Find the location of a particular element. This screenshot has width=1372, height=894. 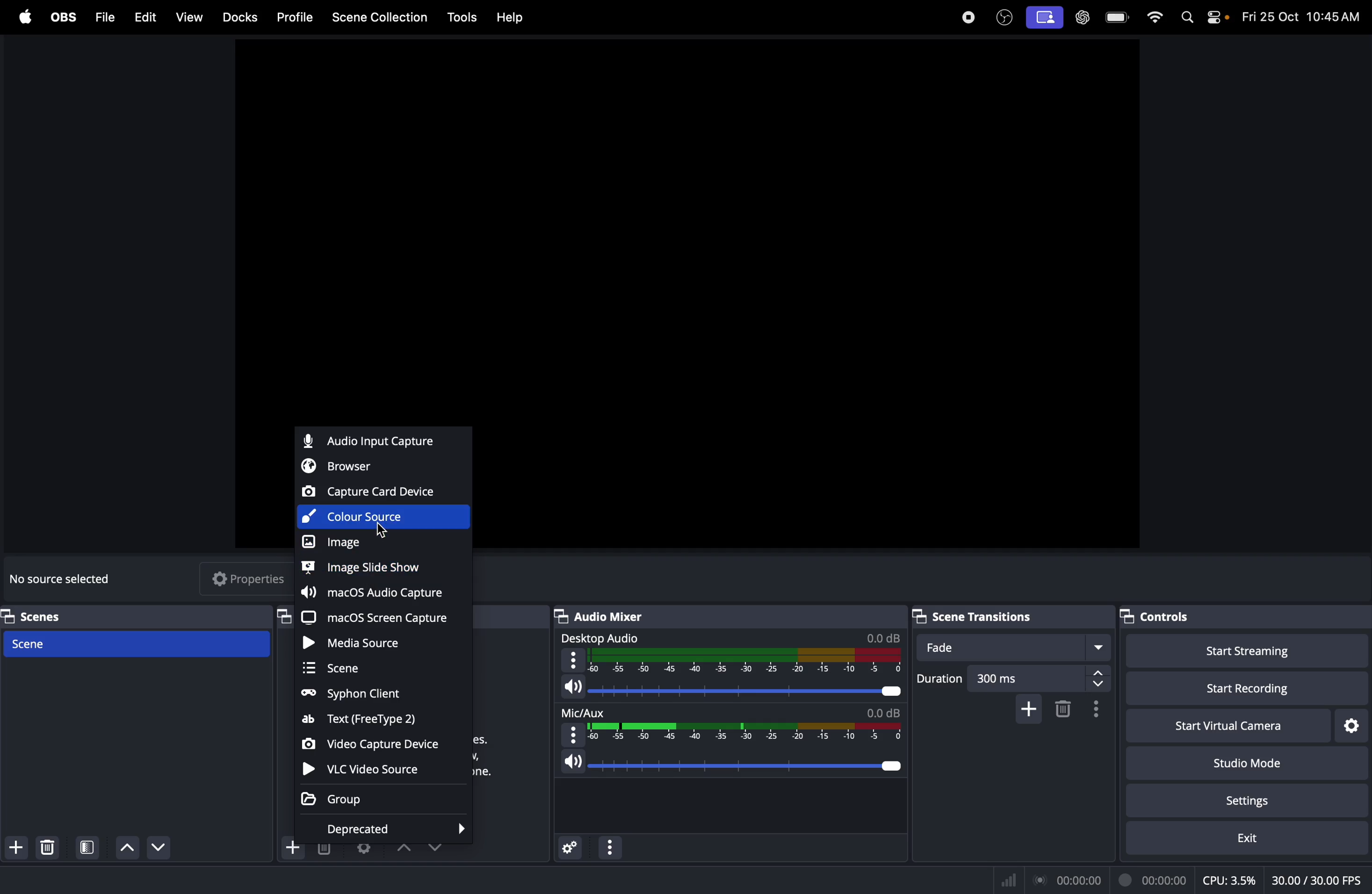

drop uo is located at coordinates (405, 849).